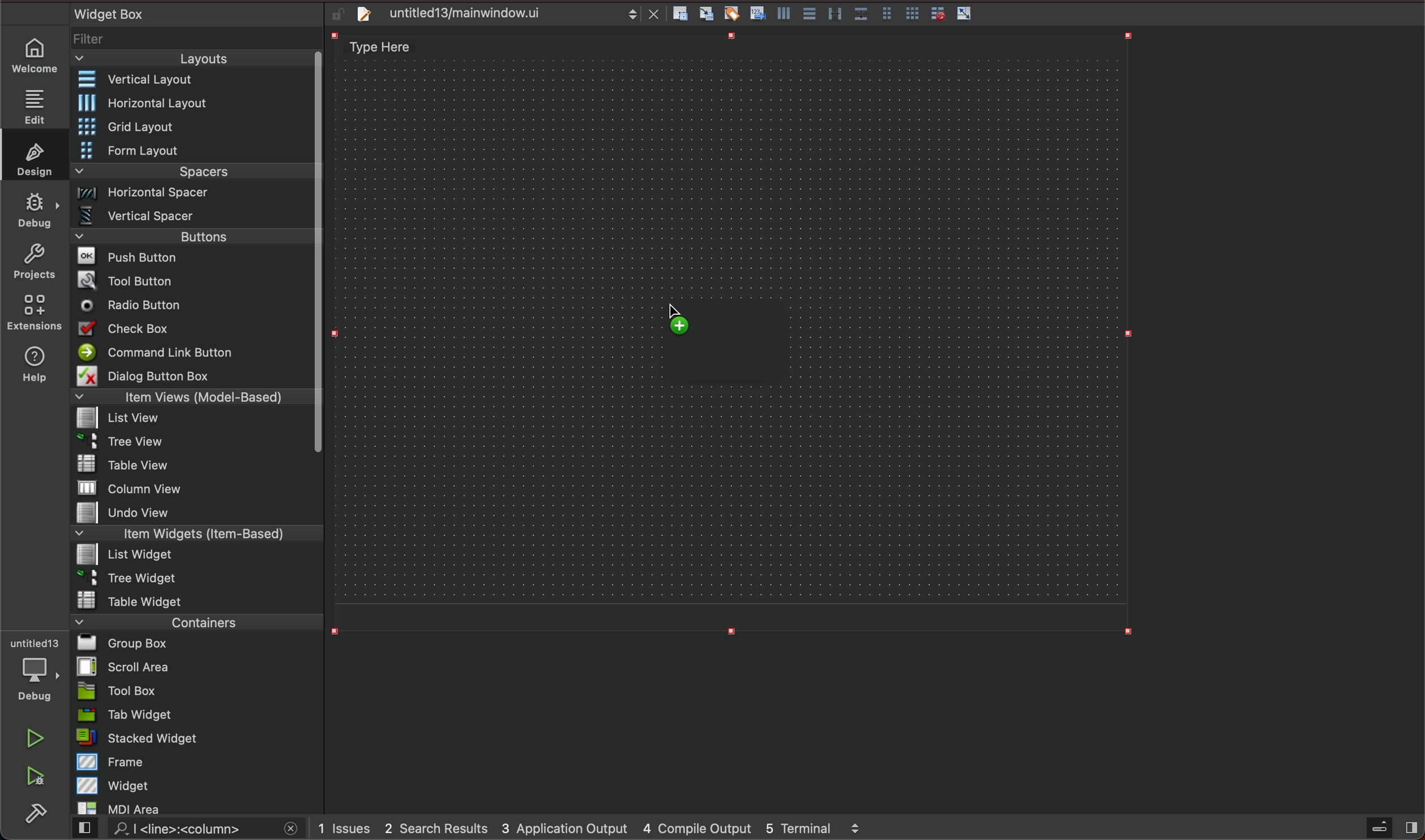 This screenshot has height=840, width=1425. What do you see at coordinates (193, 278) in the screenshot?
I see `tool button` at bounding box center [193, 278].